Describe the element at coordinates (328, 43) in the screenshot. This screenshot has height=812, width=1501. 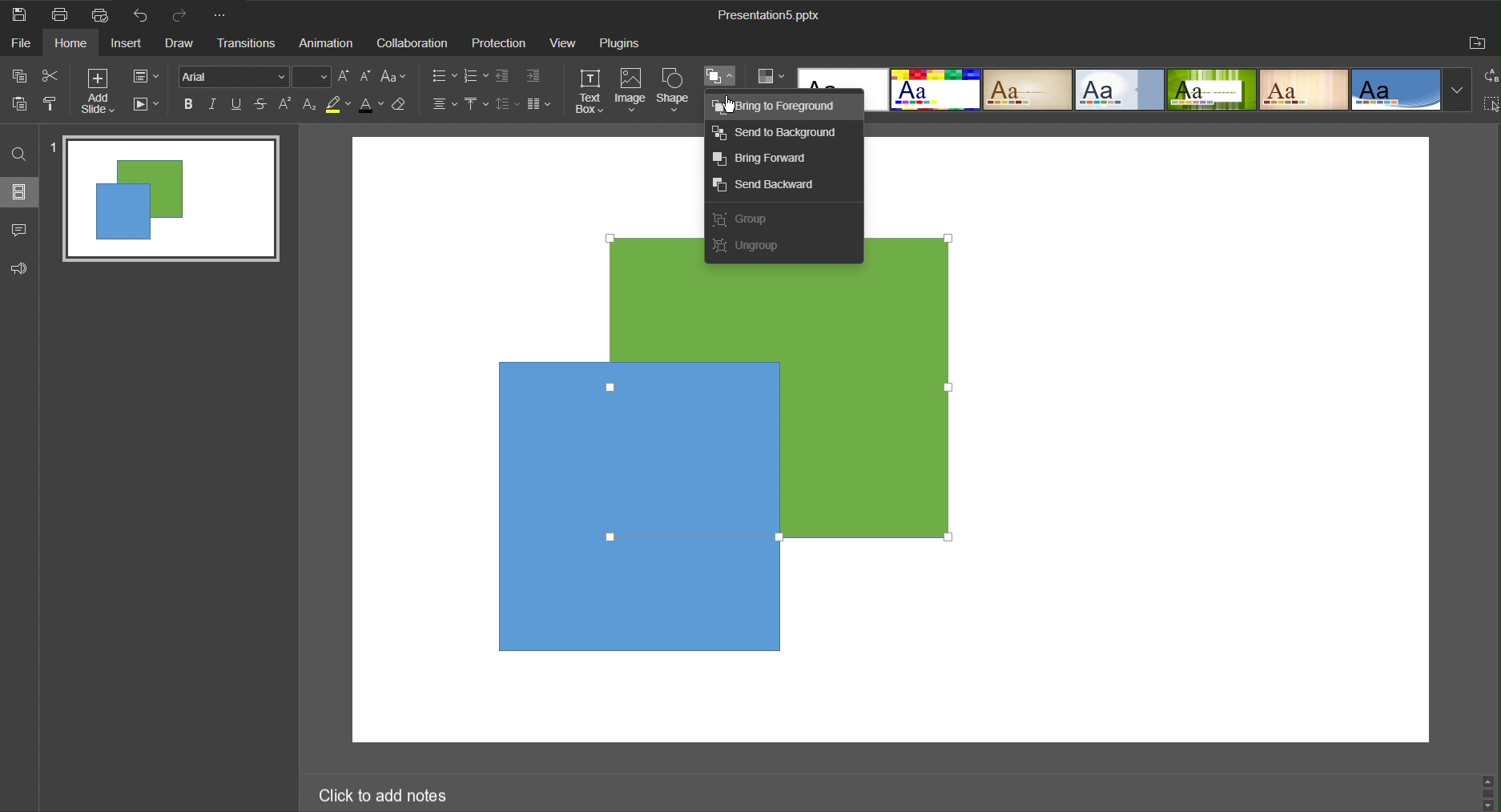
I see `Animation` at that location.